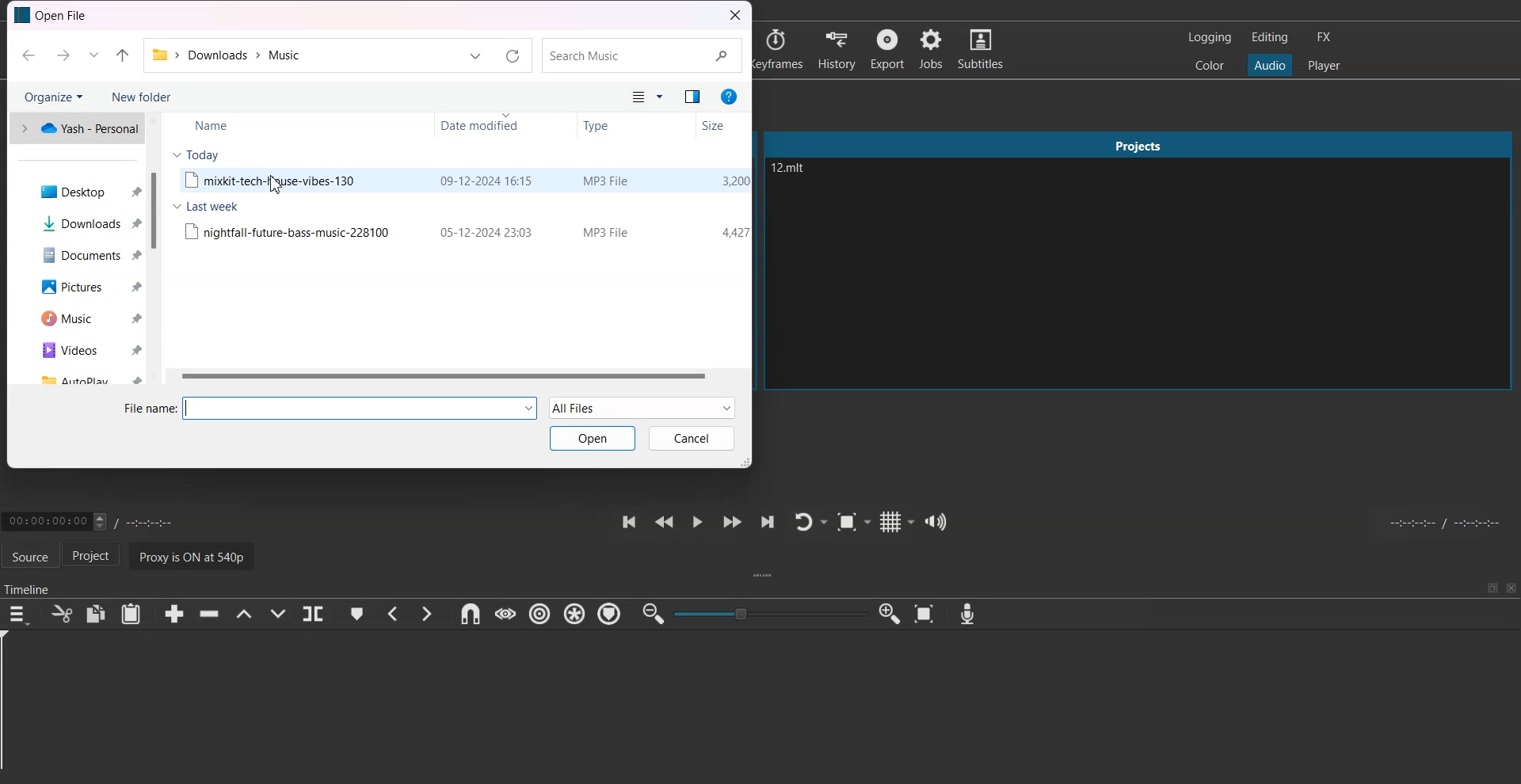  Describe the element at coordinates (593, 438) in the screenshot. I see `Open` at that location.